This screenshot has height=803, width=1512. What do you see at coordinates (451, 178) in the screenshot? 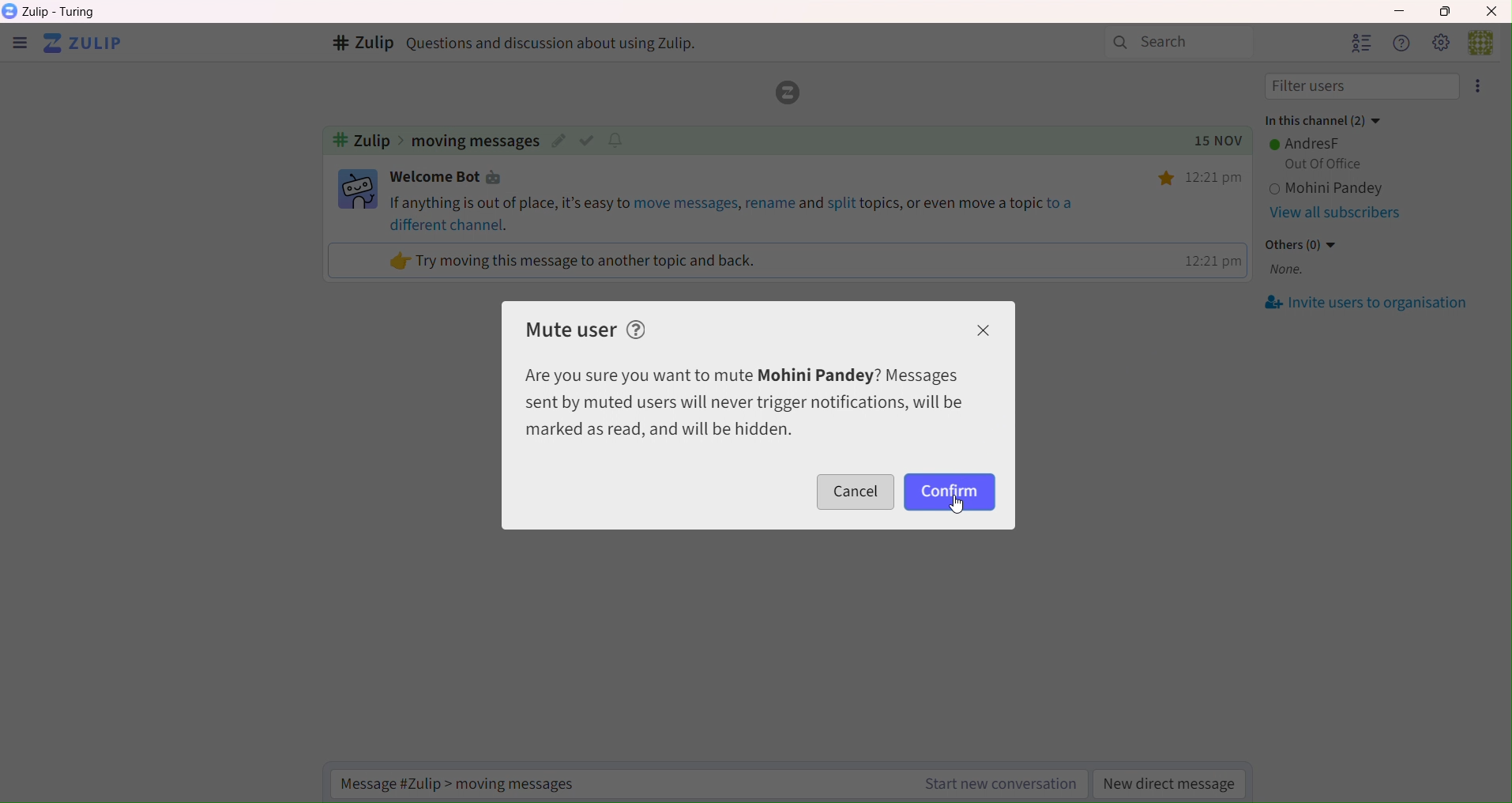
I see `Welcome Bot ` at bounding box center [451, 178].